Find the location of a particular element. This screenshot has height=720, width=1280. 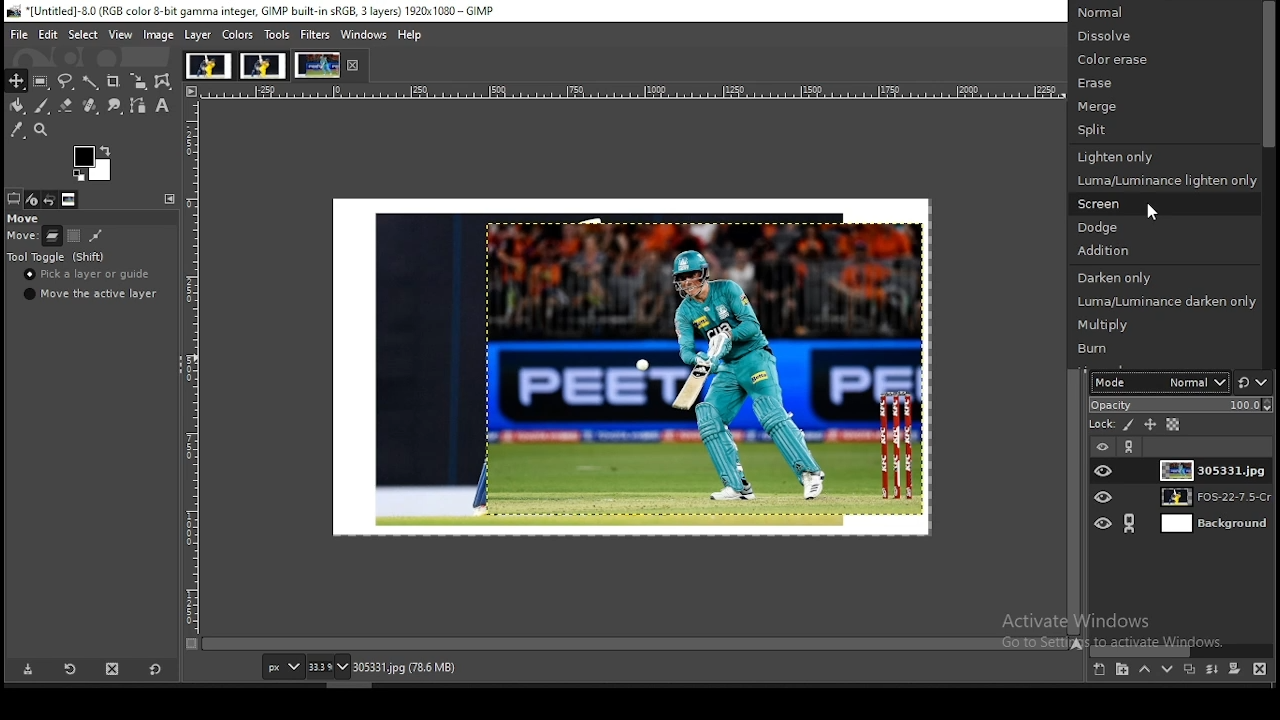

rectangular selection tool is located at coordinates (40, 80).